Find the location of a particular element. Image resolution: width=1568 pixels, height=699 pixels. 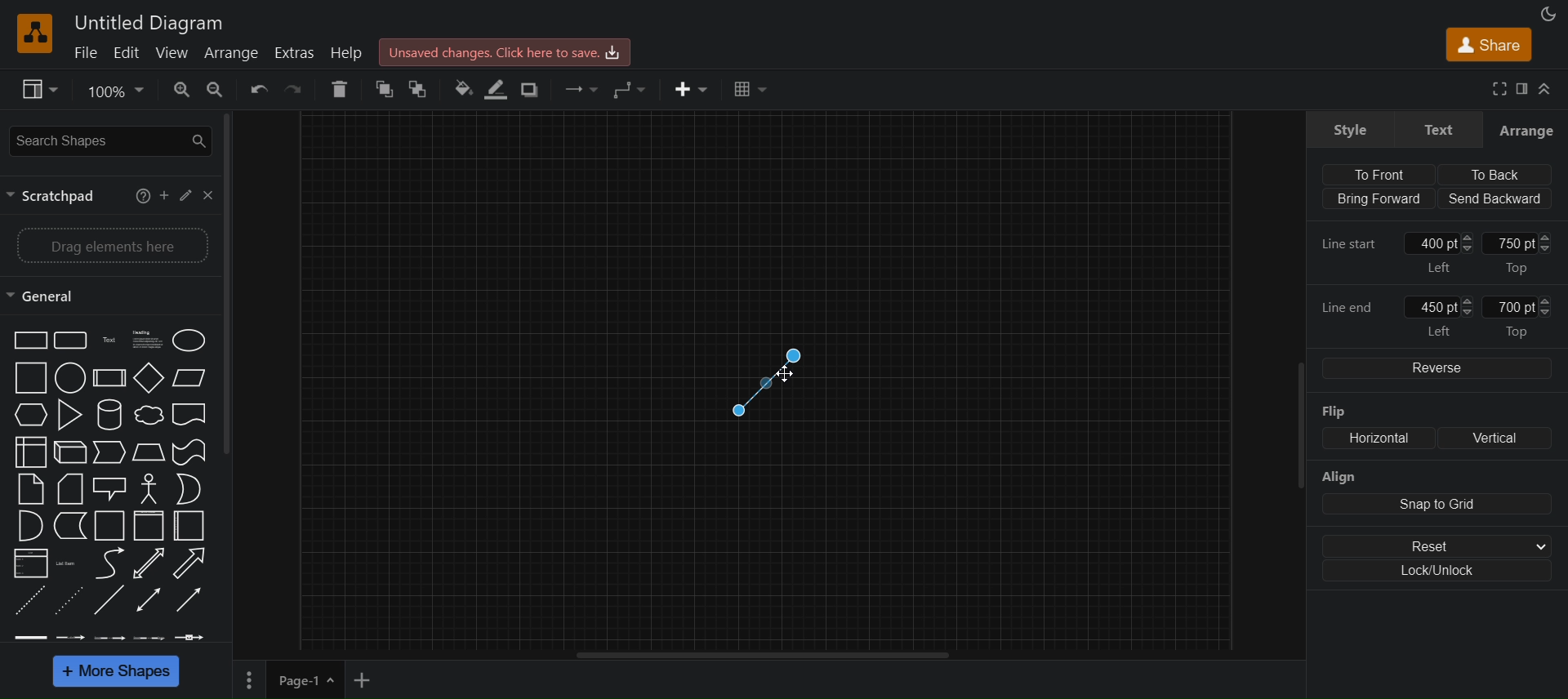

400 pt left is located at coordinates (1442, 252).